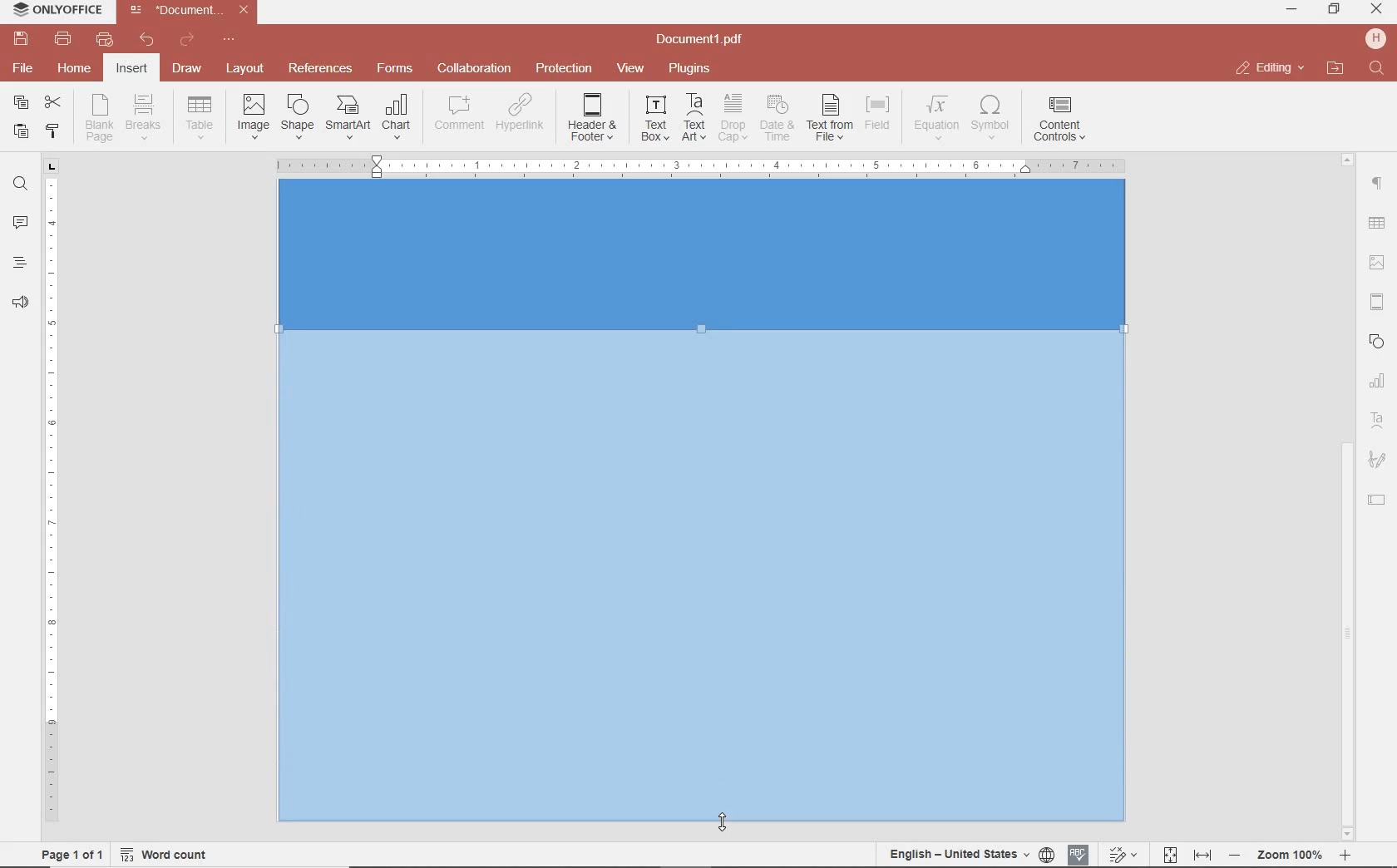 Image resolution: width=1397 pixels, height=868 pixels. Describe the element at coordinates (970, 854) in the screenshot. I see `set document language` at that location.